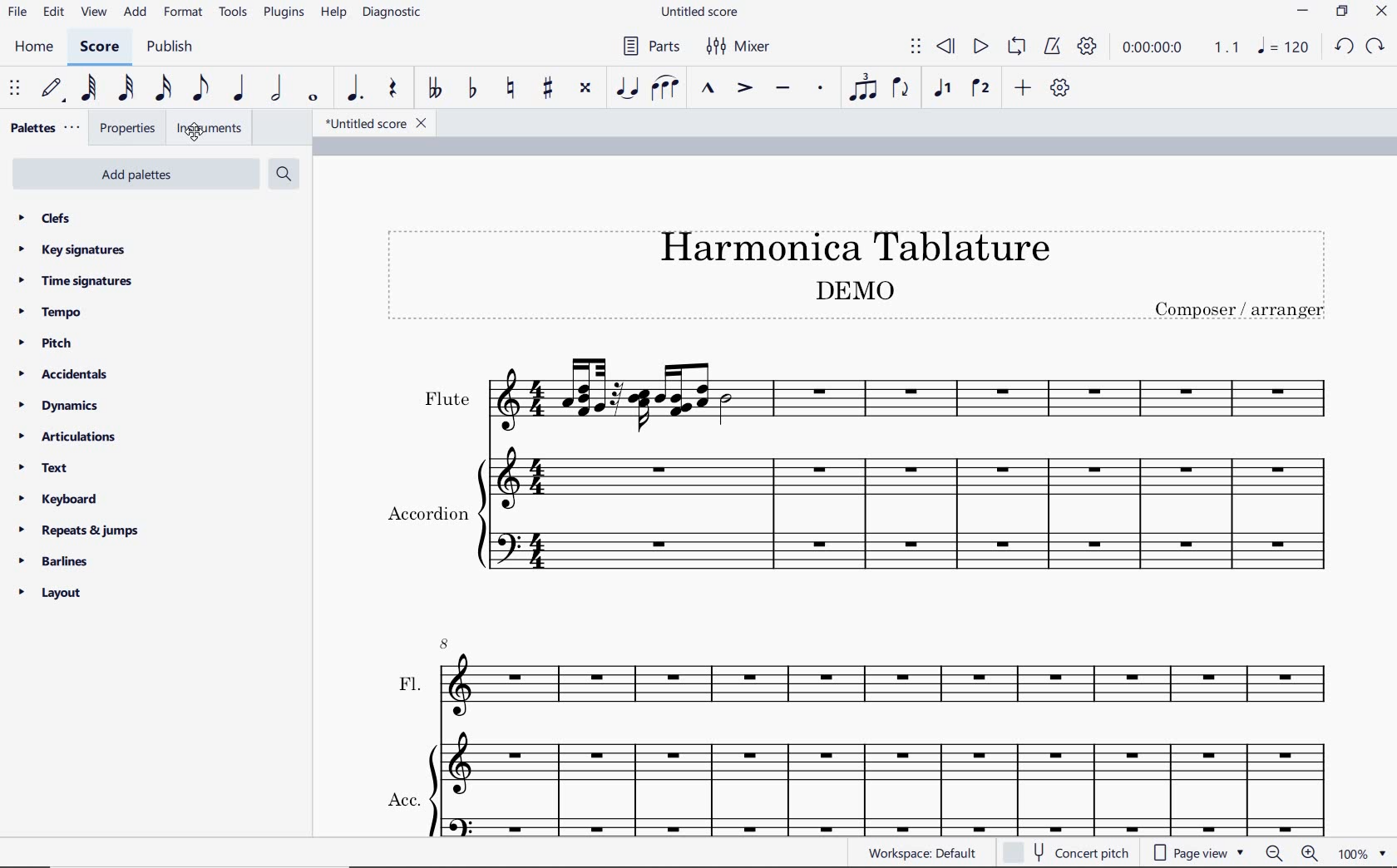  What do you see at coordinates (62, 501) in the screenshot?
I see `keyboard` at bounding box center [62, 501].